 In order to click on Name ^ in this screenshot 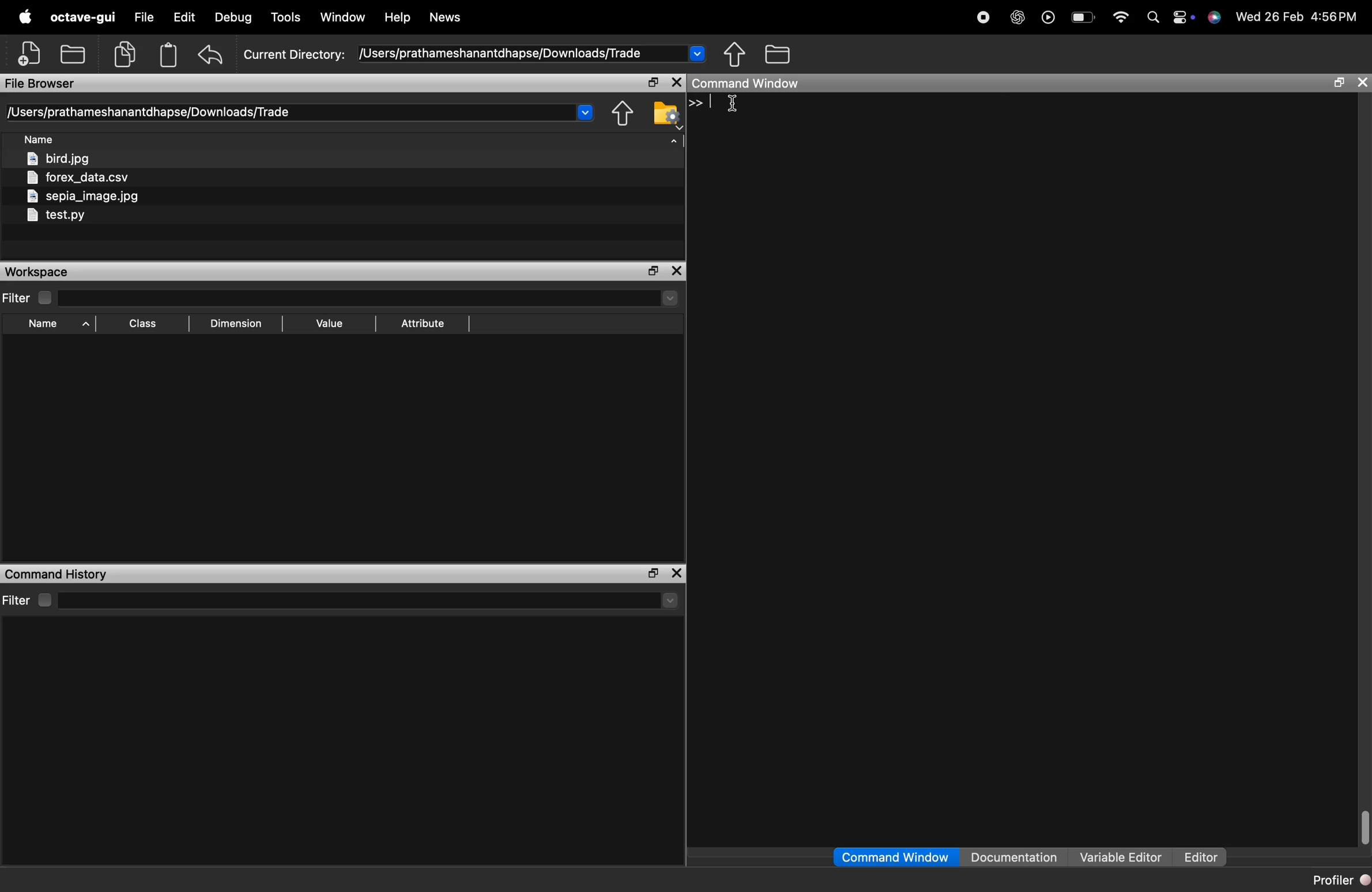, I will do `click(59, 323)`.